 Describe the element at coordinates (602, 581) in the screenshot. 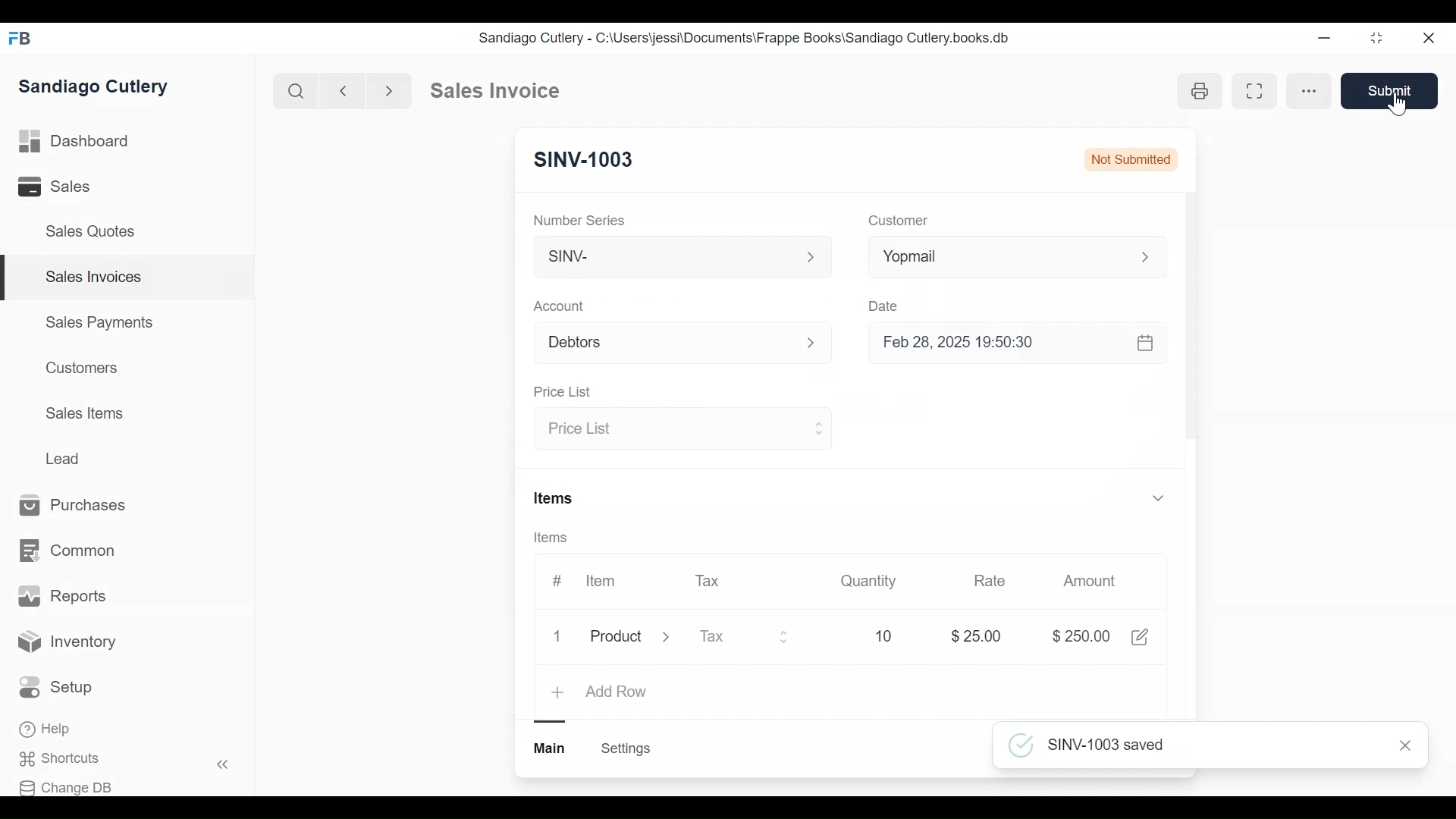

I see `Item` at that location.